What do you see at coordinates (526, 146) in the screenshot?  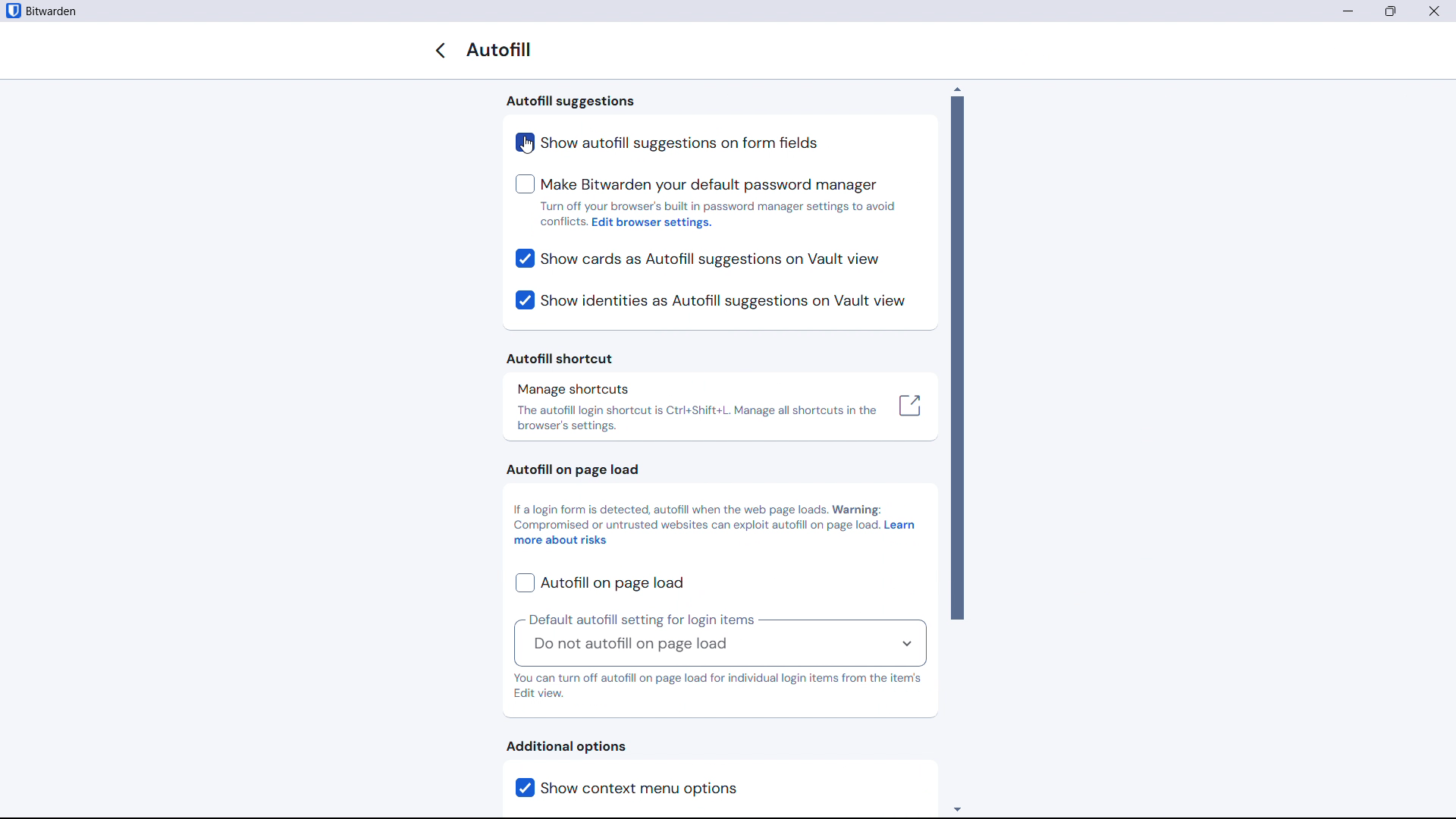 I see `cursor` at bounding box center [526, 146].